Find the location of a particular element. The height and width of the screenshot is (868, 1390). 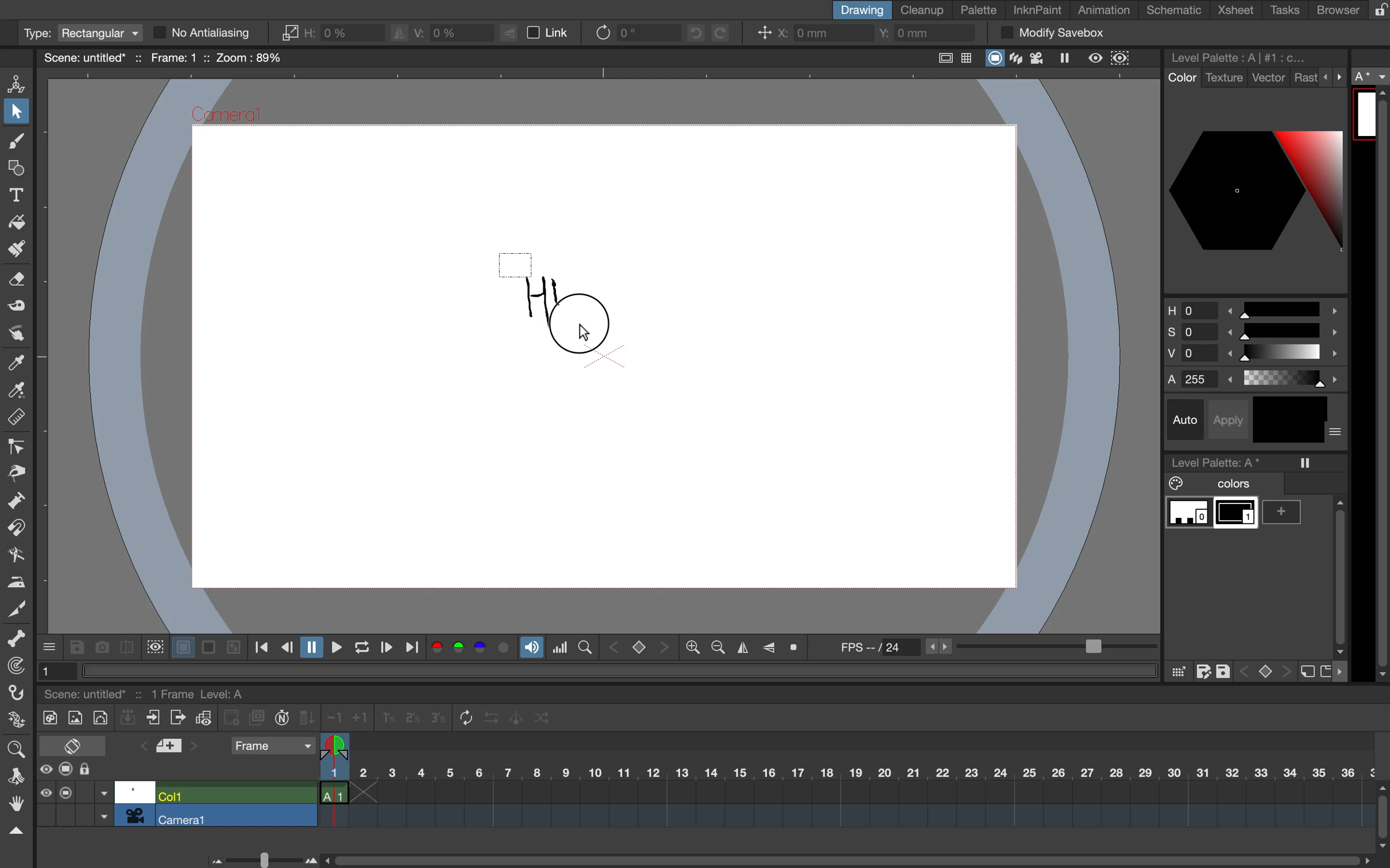

save as is located at coordinates (1203, 672).